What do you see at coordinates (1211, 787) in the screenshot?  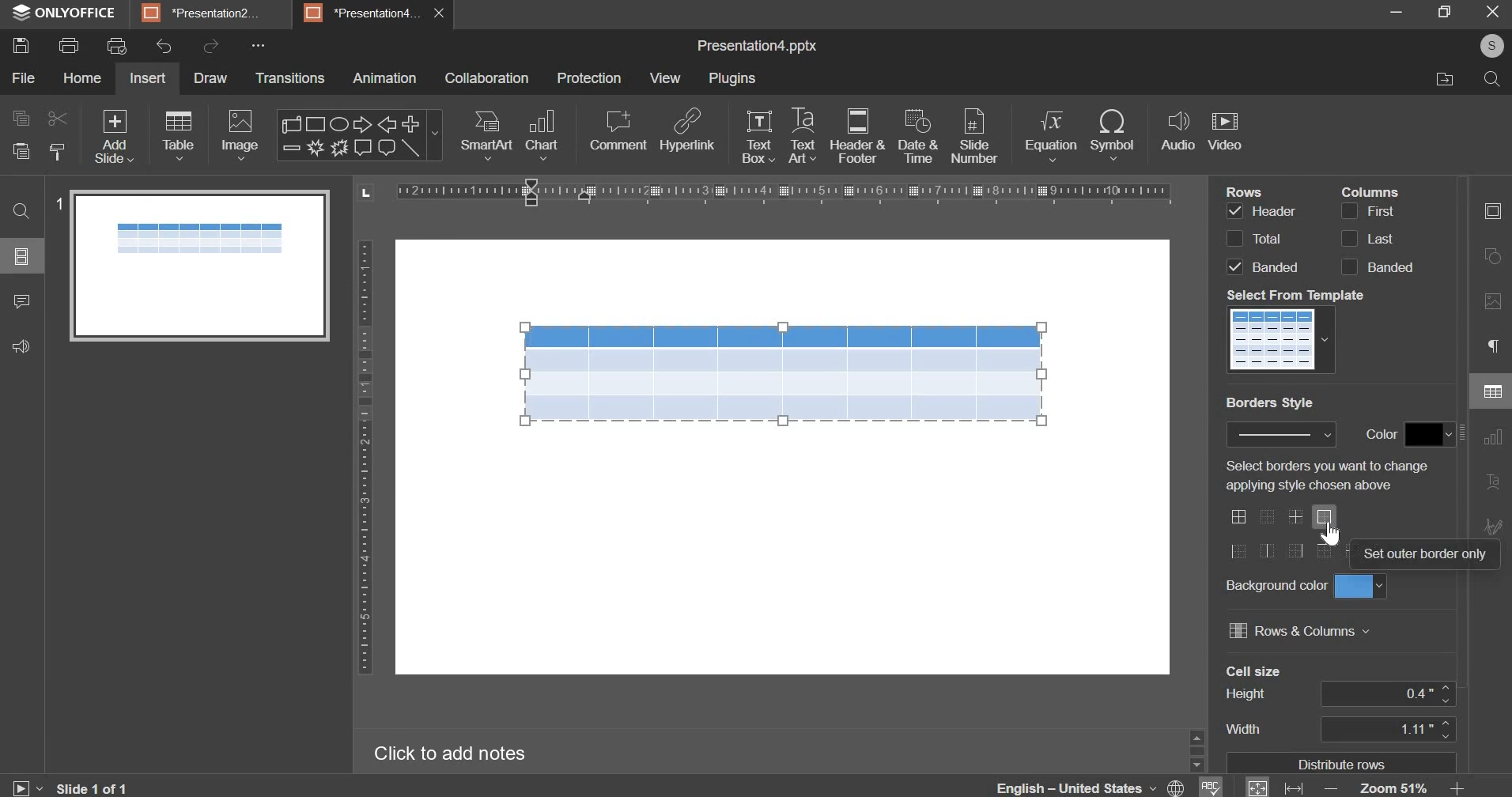 I see `spell checking` at bounding box center [1211, 787].